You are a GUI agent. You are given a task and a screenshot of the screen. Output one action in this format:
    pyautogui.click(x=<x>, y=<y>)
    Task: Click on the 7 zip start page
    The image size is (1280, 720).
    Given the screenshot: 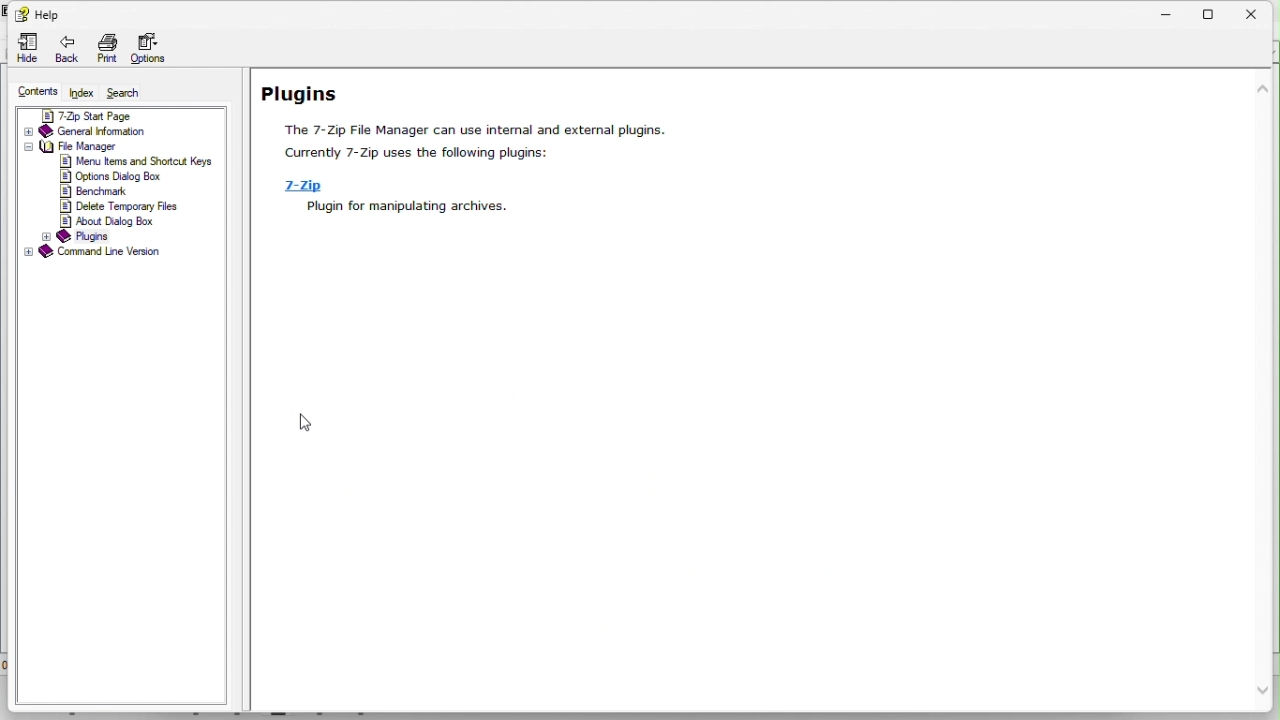 What is the action you would take?
    pyautogui.click(x=105, y=114)
    